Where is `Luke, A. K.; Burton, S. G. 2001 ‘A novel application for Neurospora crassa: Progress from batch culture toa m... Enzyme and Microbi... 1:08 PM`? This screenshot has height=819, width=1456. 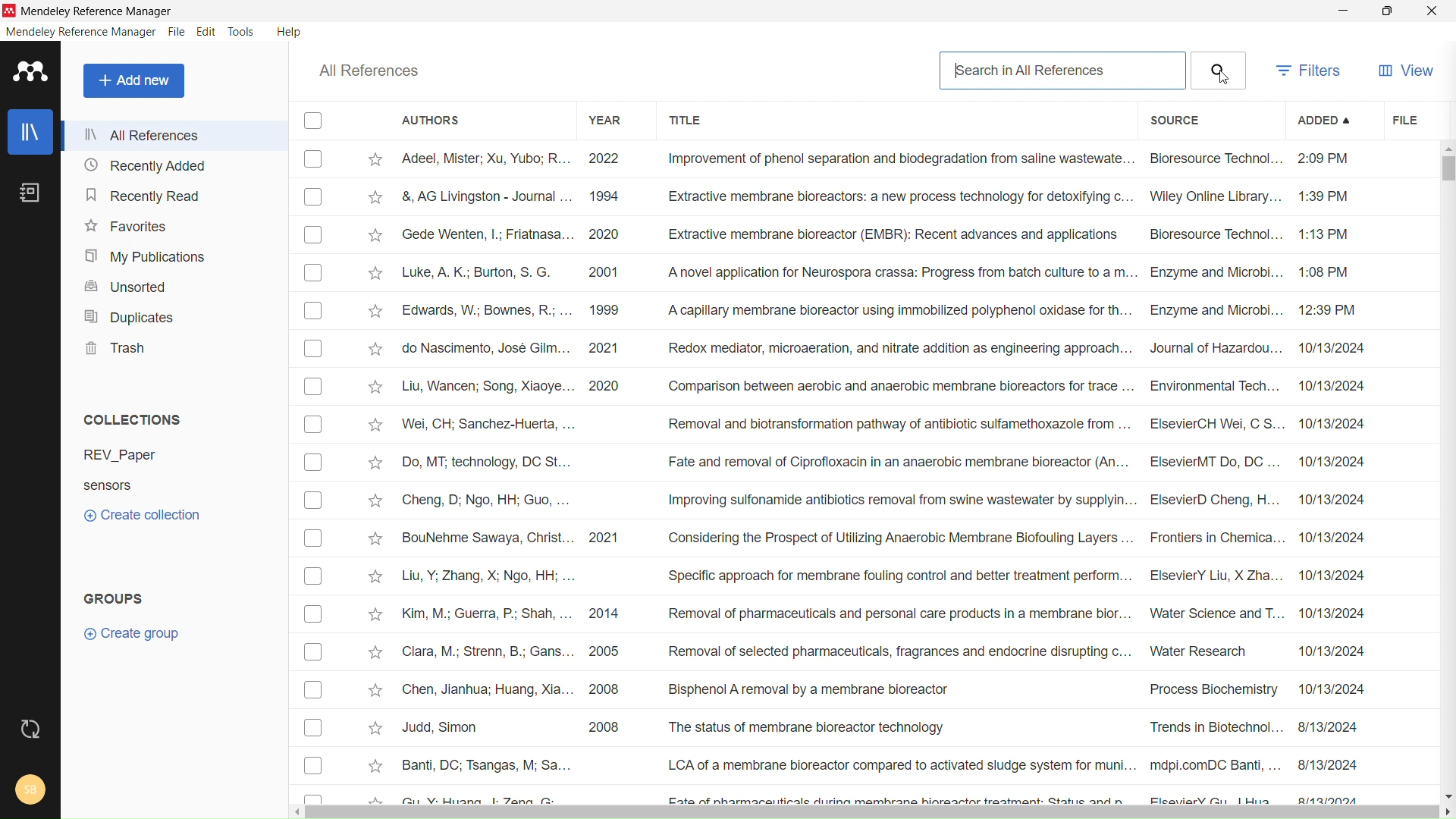 Luke, A. K.; Burton, S. G. 2001 ‘A novel application for Neurospora crassa: Progress from batch culture toa m... Enzyme and Microbi... 1:08 PM is located at coordinates (893, 271).